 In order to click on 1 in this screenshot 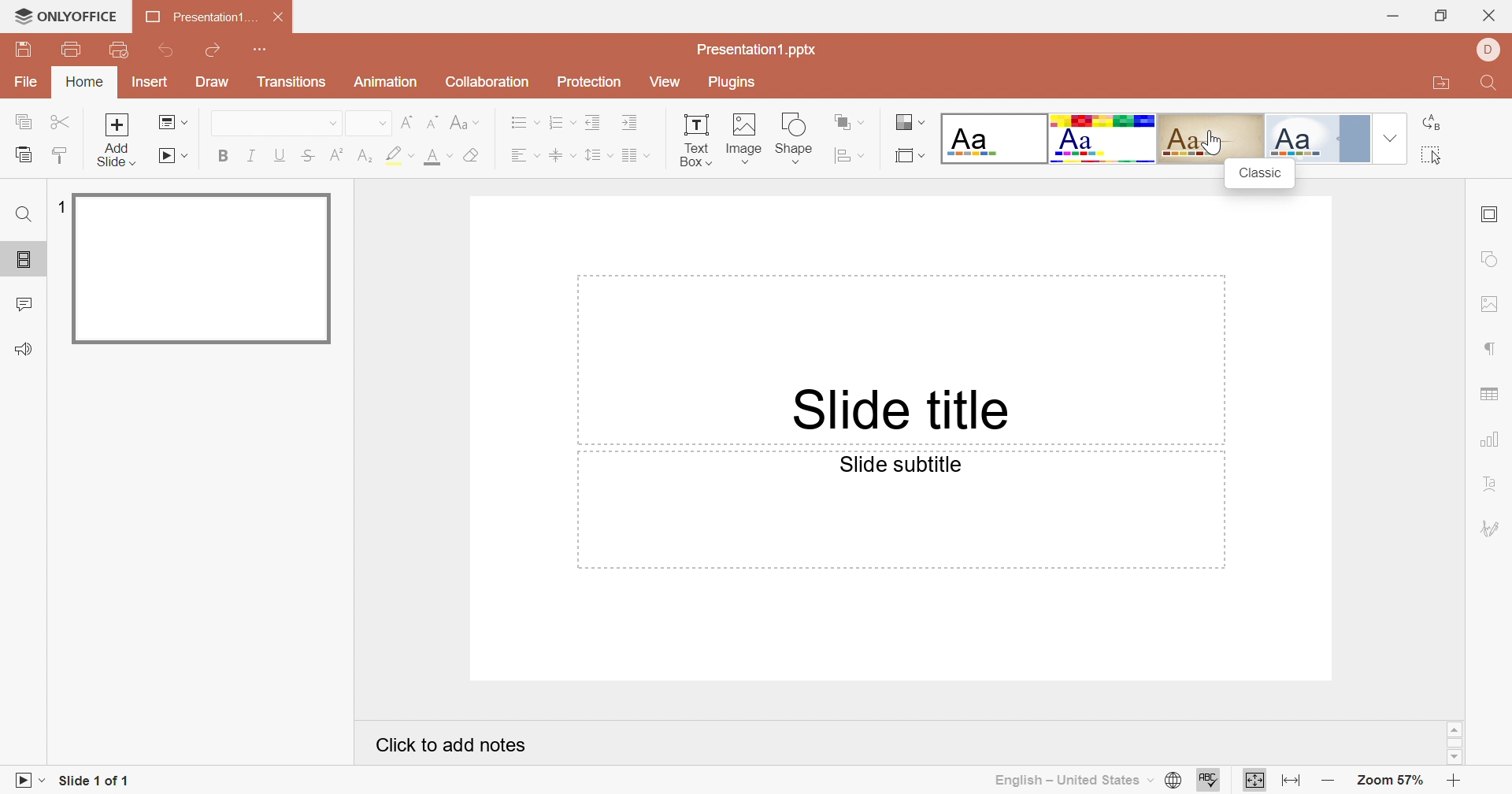, I will do `click(57, 203)`.